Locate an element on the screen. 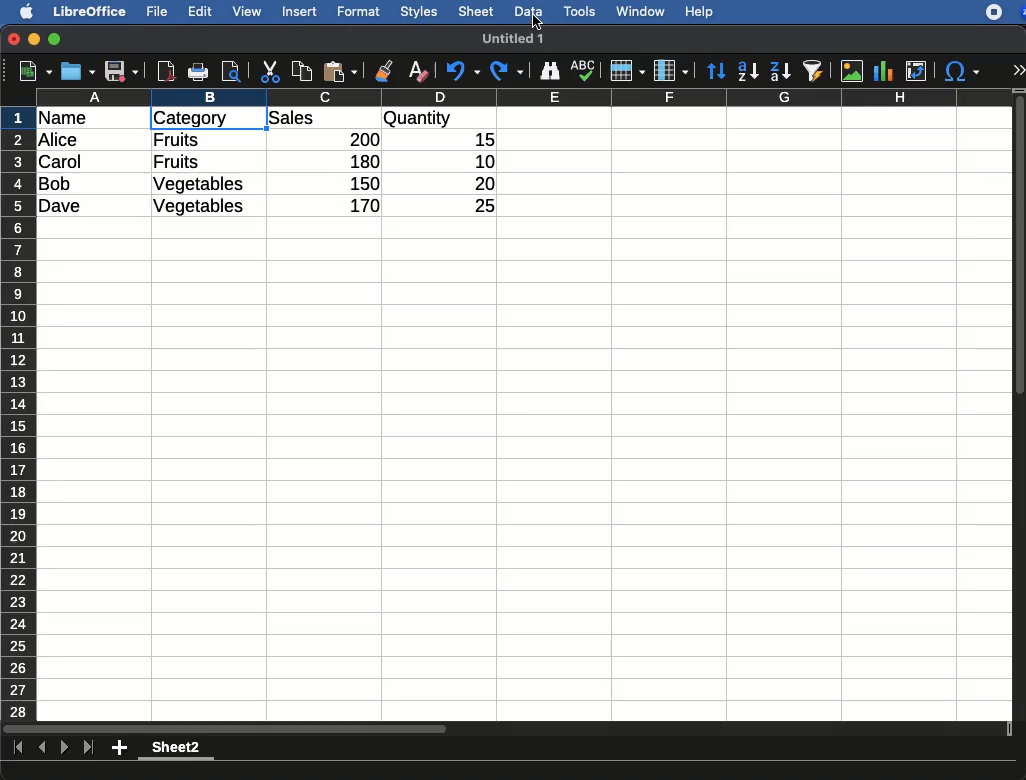 This screenshot has height=780, width=1026. Alice is located at coordinates (60, 141).